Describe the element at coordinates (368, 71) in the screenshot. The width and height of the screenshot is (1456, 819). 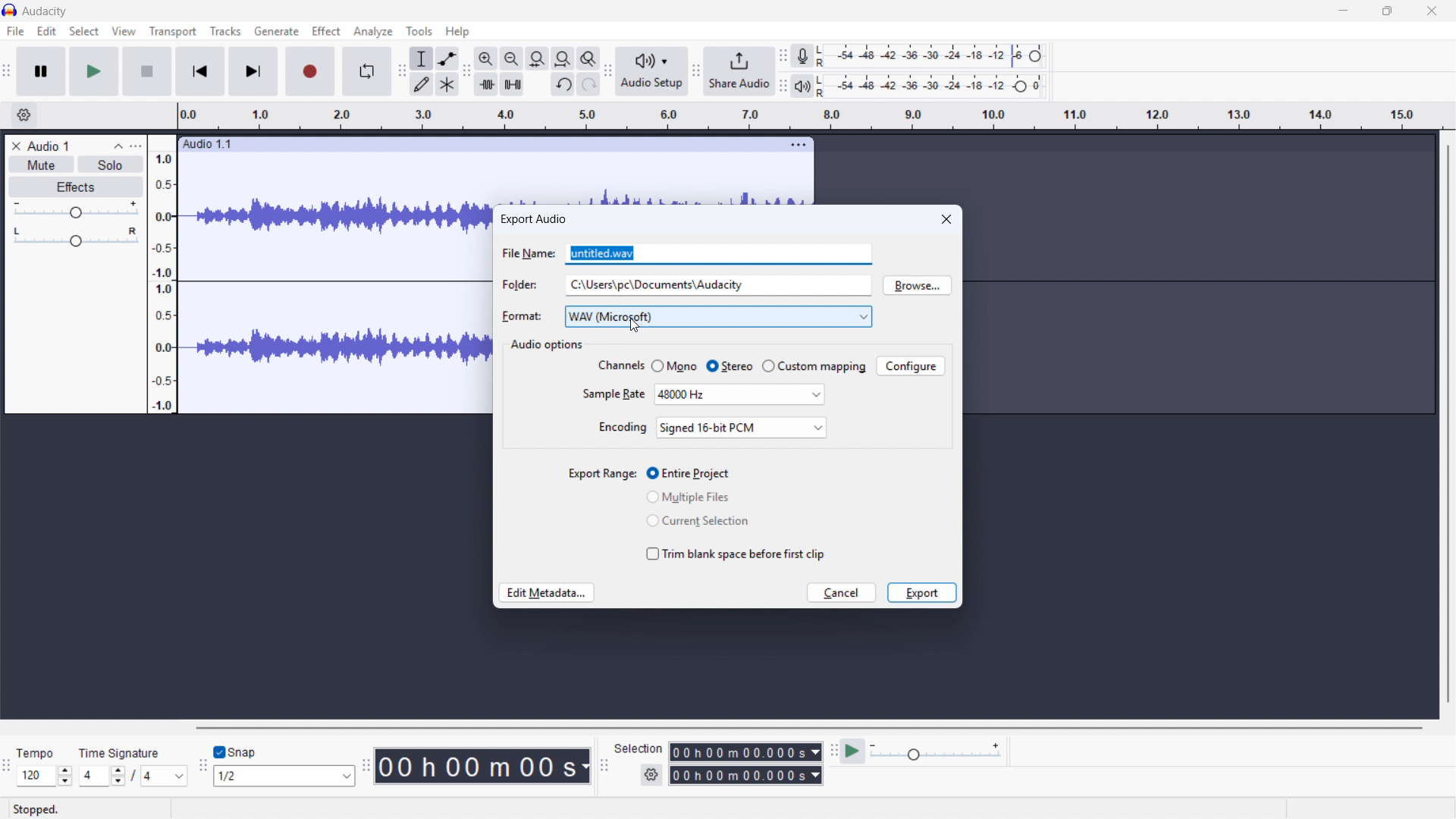
I see `Enable loop ` at that location.